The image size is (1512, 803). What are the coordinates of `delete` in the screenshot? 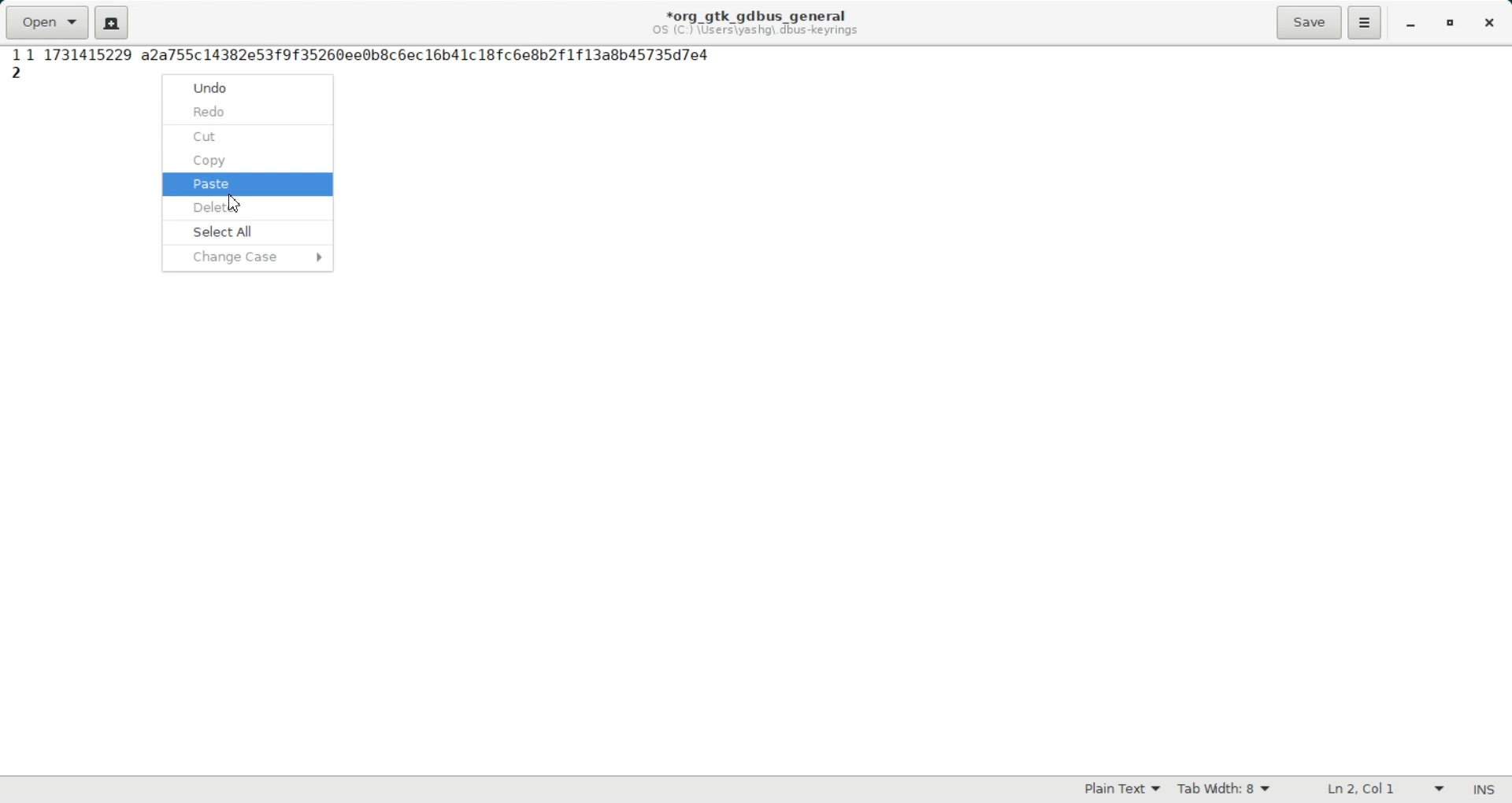 It's located at (243, 207).